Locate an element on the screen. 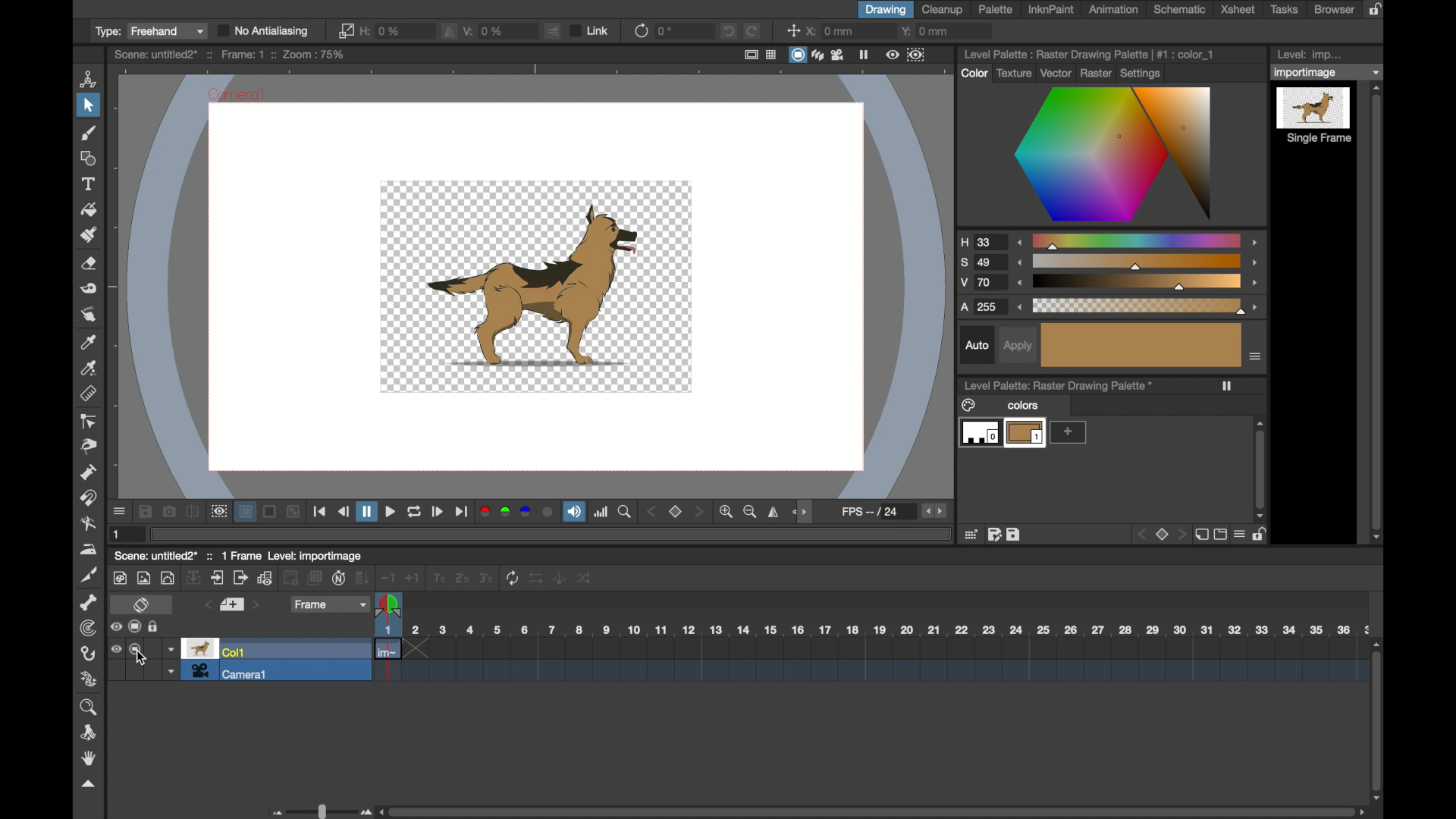 The image size is (1456, 819). beginning is located at coordinates (321, 513).